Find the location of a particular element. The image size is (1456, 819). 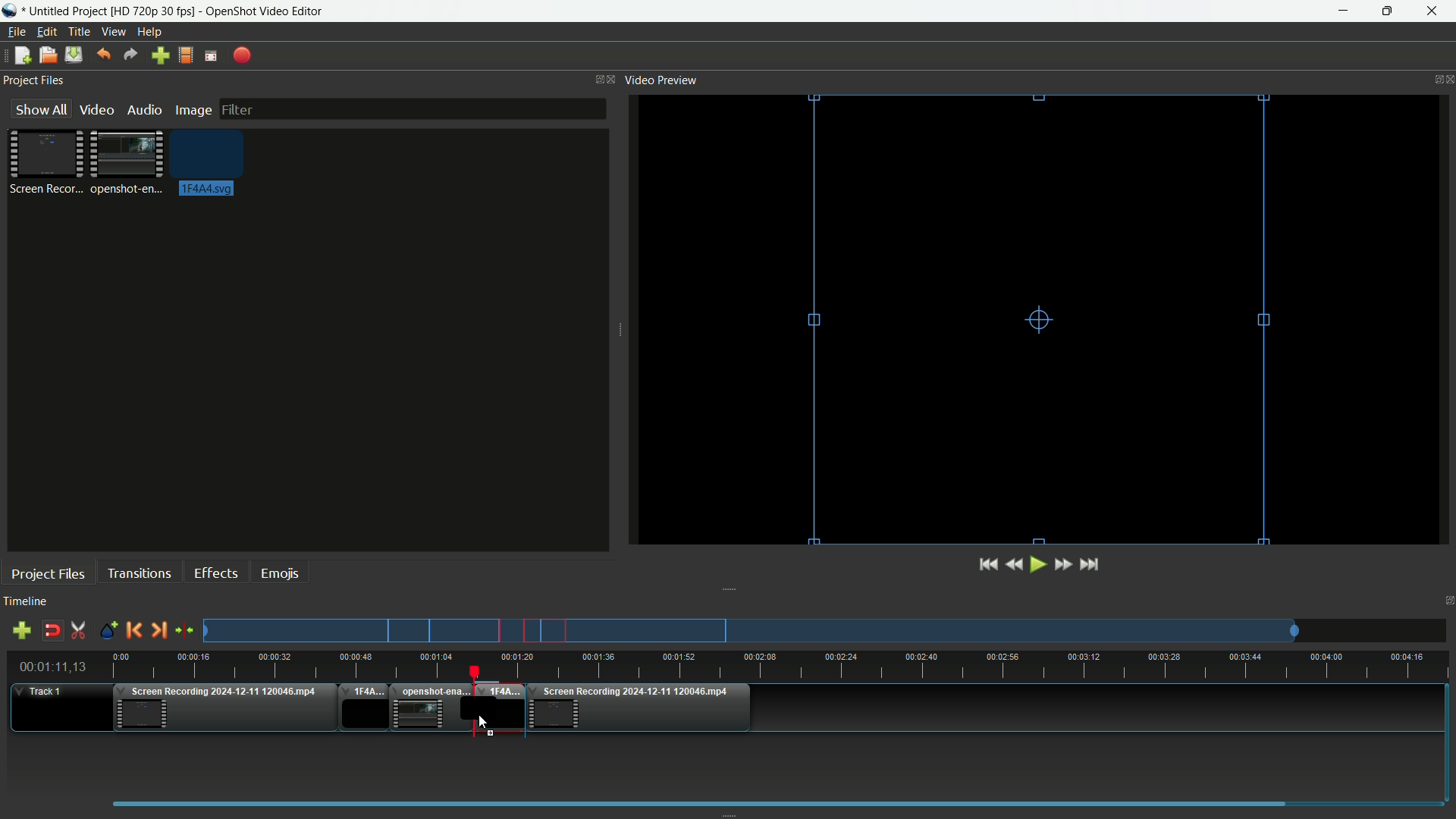

Enable razor is located at coordinates (79, 631).